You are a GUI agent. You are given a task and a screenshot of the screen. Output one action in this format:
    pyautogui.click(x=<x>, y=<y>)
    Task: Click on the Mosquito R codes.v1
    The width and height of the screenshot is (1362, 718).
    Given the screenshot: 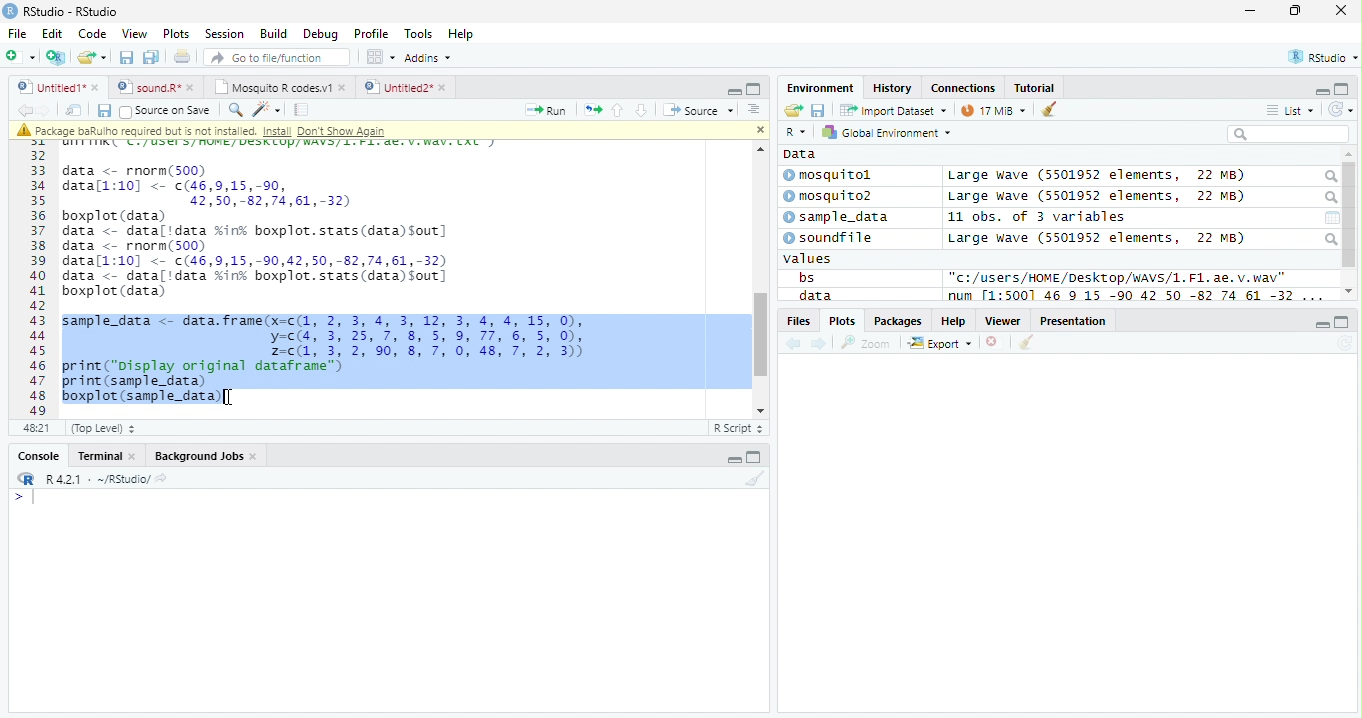 What is the action you would take?
    pyautogui.click(x=277, y=86)
    